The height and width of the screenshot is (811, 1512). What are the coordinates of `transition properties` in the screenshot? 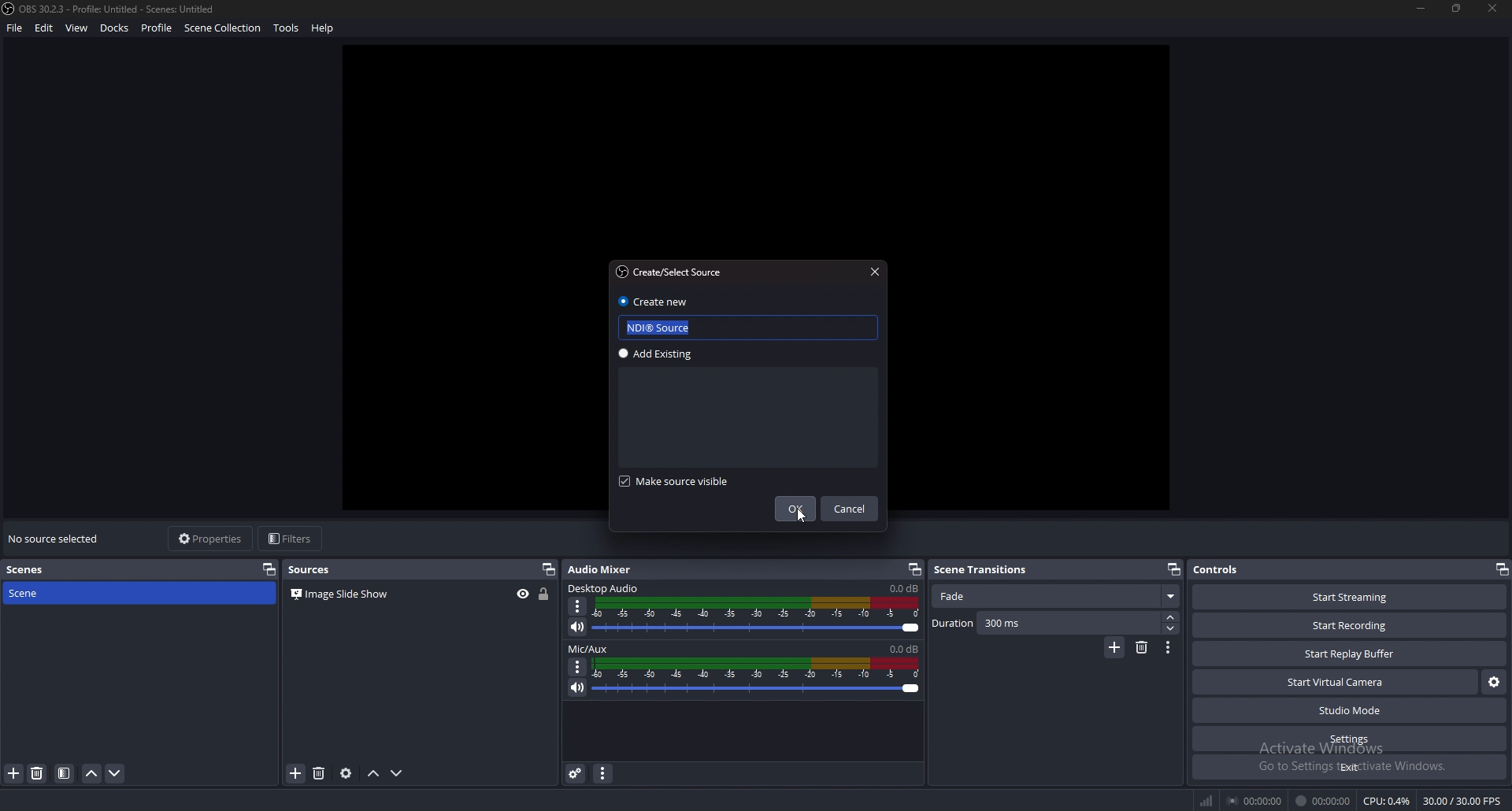 It's located at (1167, 648).